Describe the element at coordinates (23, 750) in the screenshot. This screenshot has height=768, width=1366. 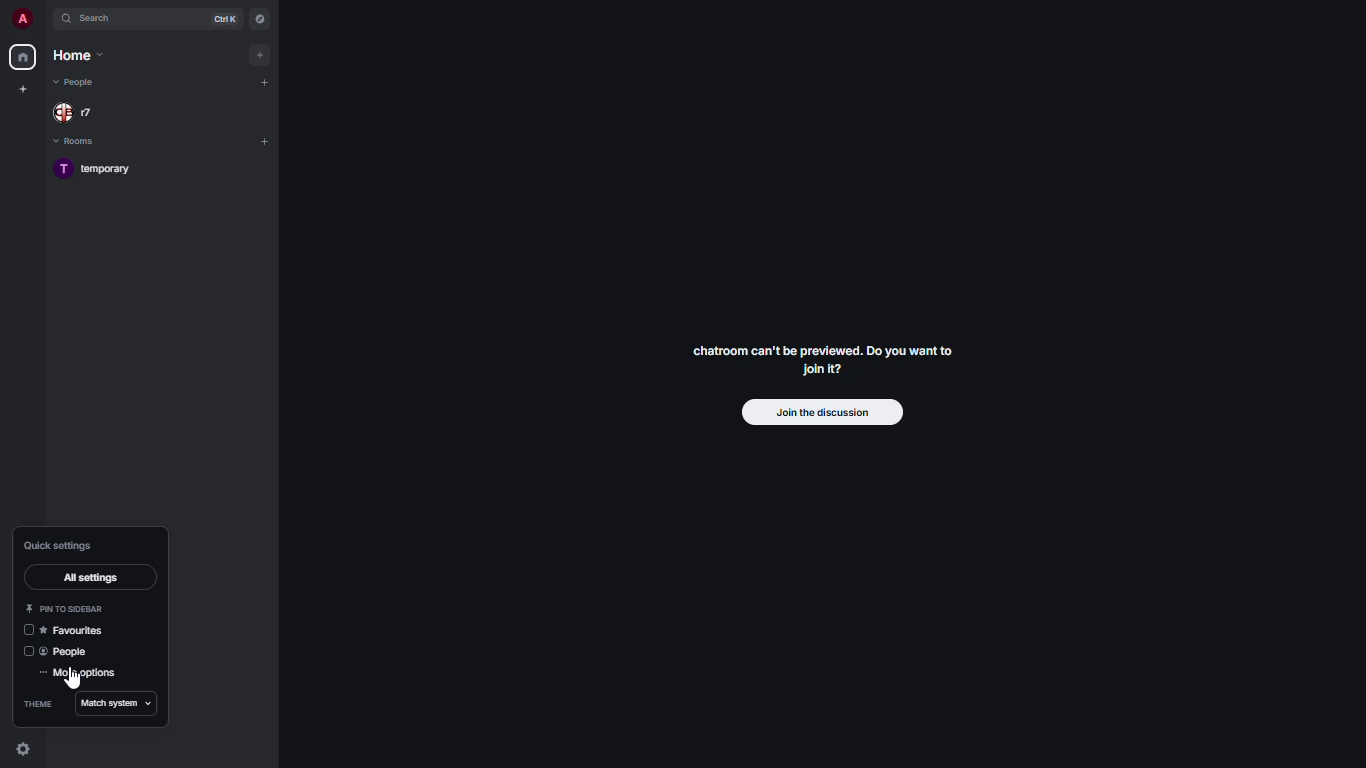
I see `quick settings` at that location.